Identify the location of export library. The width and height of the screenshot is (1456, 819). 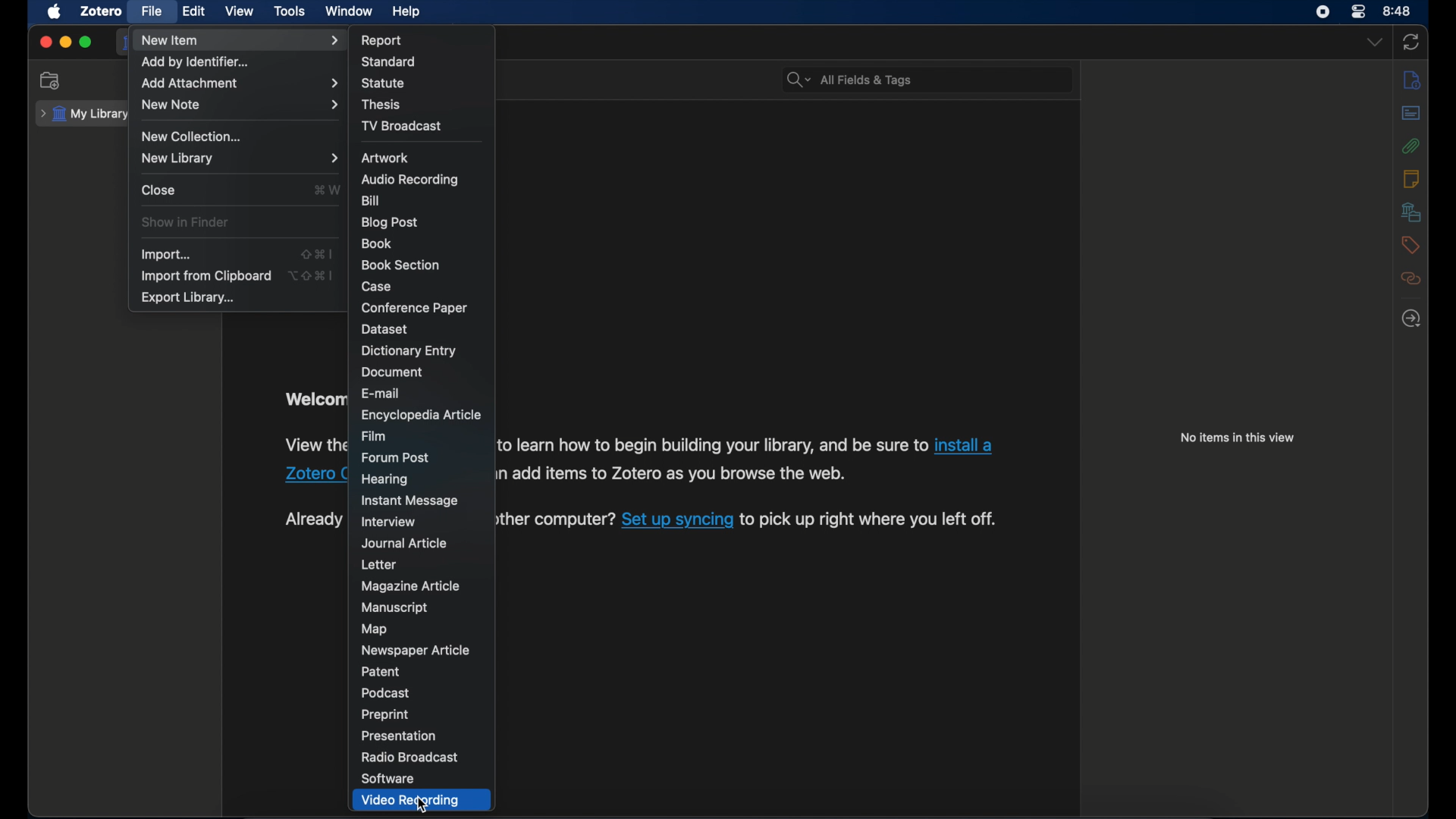
(187, 298).